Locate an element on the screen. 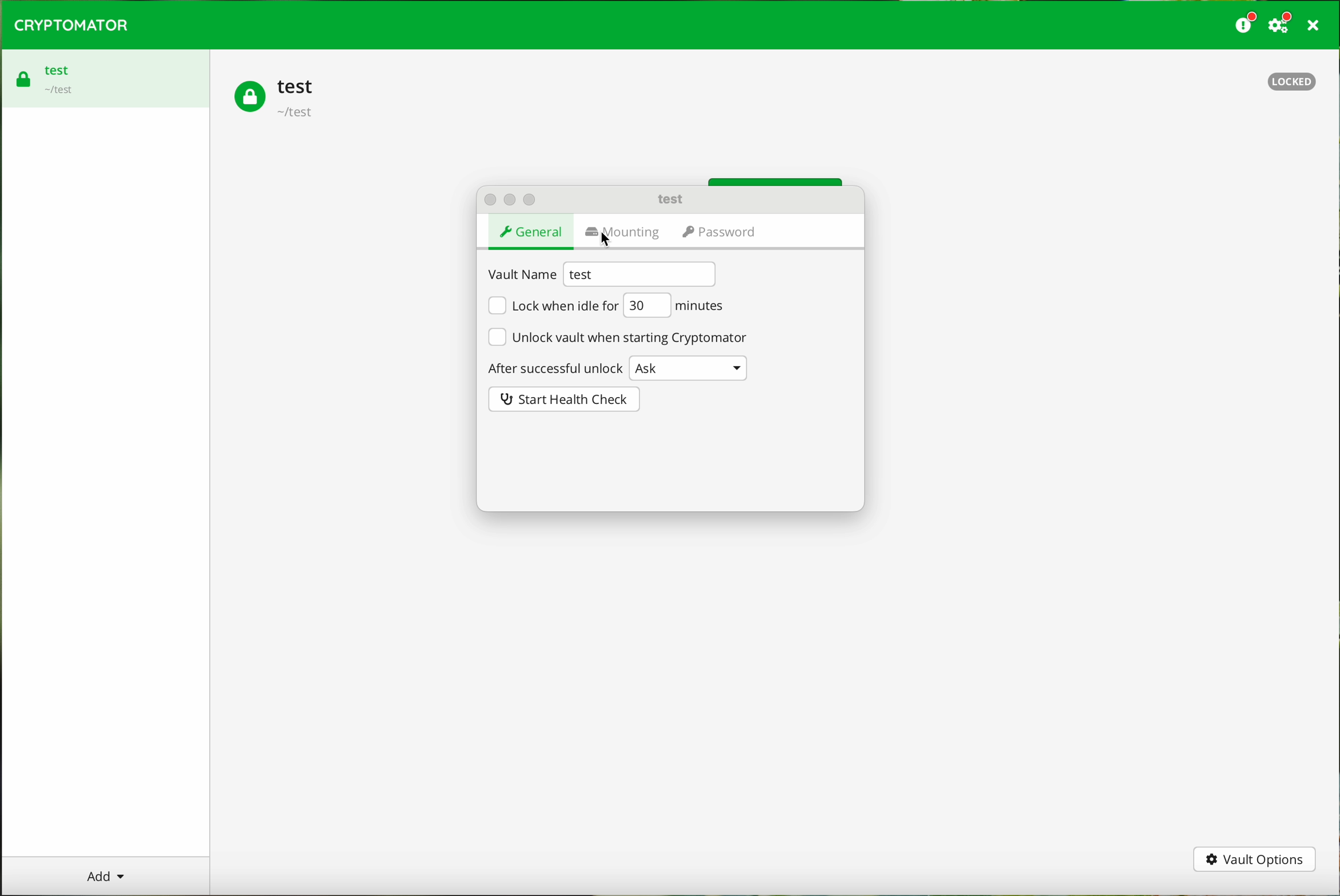 The height and width of the screenshot is (896, 1340). vault options is located at coordinates (1254, 860).